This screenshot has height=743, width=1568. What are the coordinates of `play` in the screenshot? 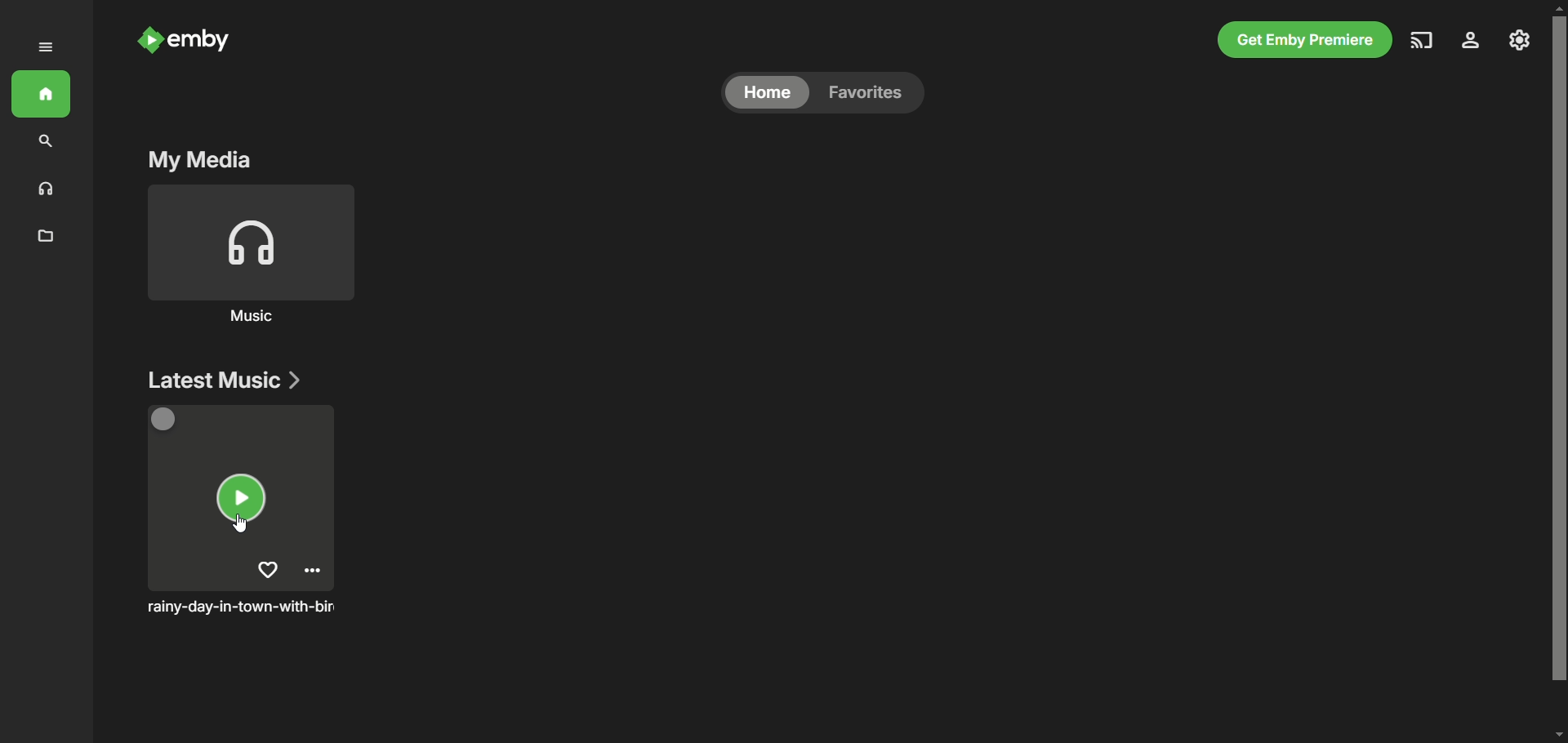 It's located at (238, 499).